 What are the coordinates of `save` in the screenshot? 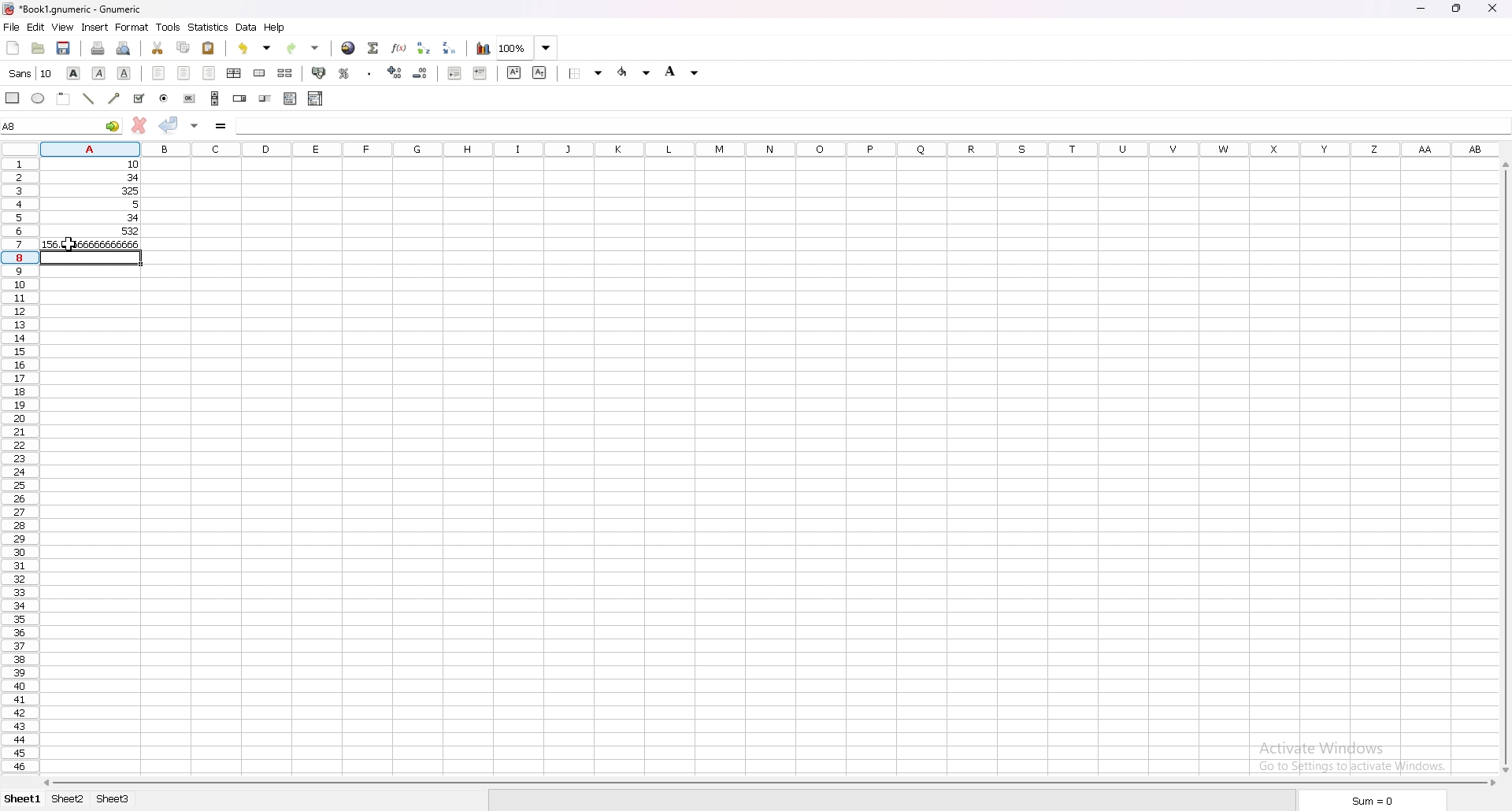 It's located at (65, 48).